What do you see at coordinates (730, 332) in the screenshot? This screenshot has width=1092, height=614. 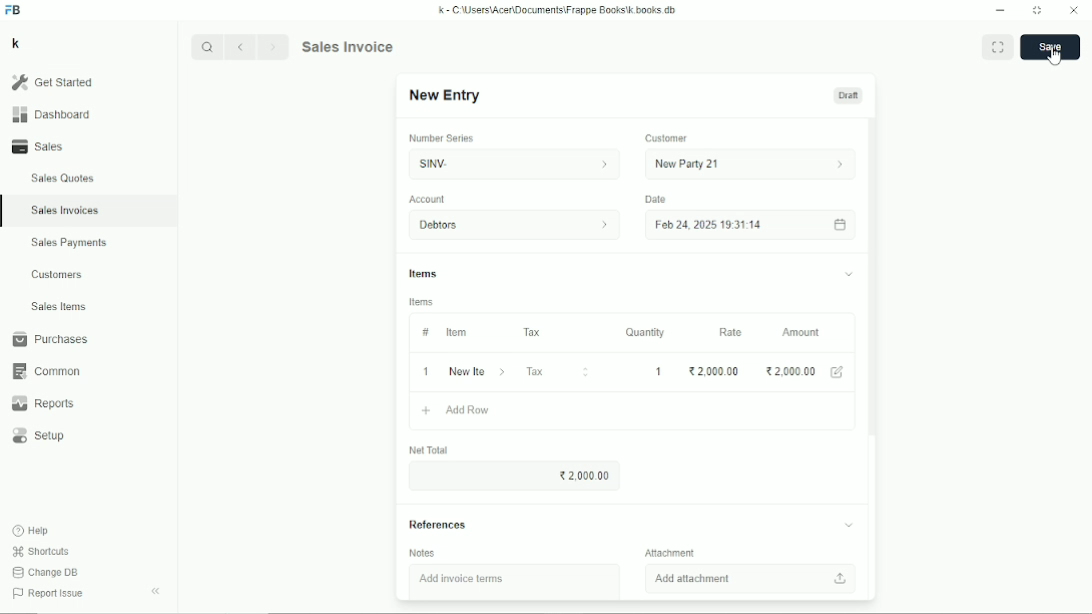 I see `Rate` at bounding box center [730, 332].